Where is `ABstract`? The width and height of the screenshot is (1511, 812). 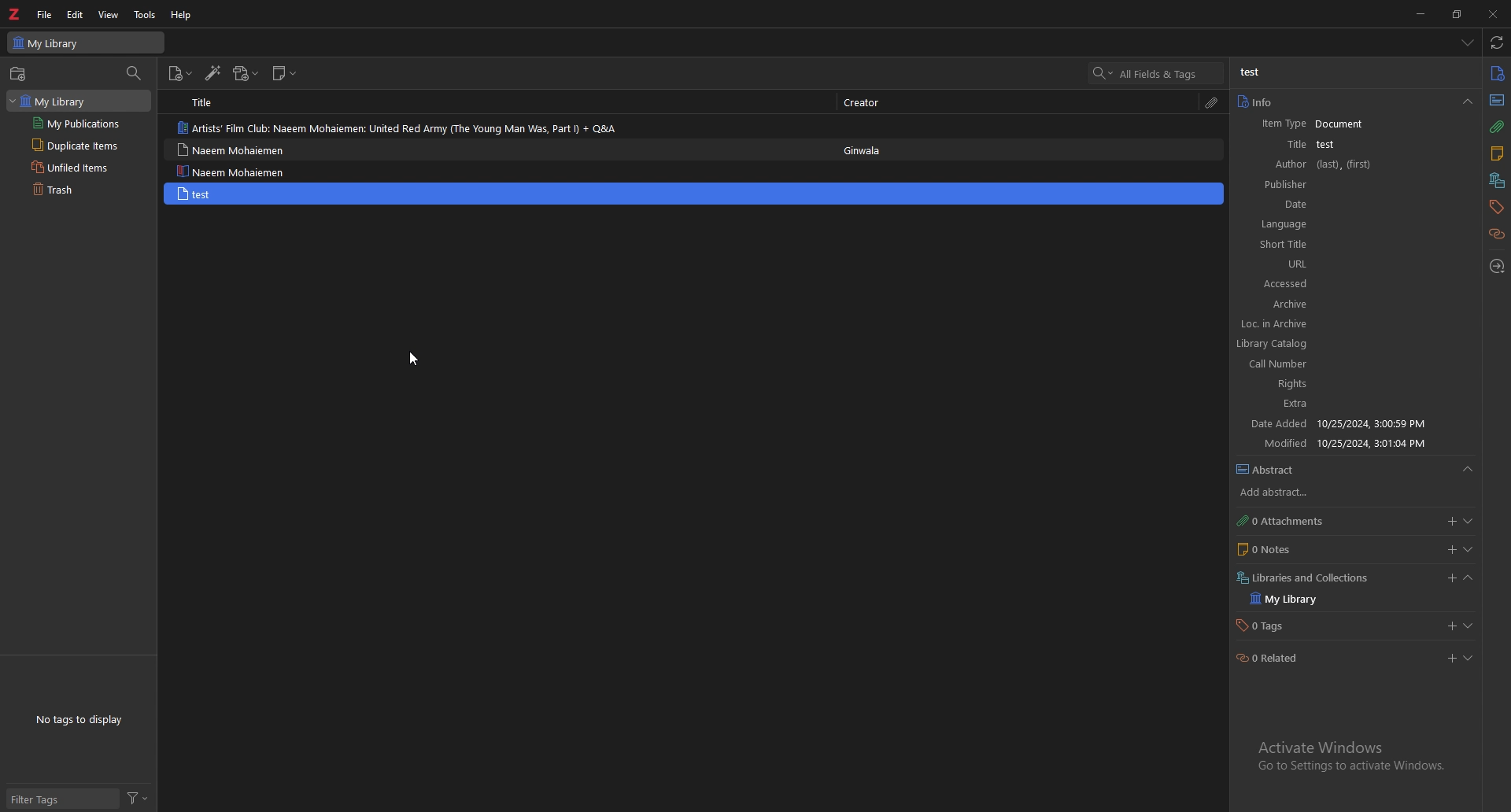
ABstract is located at coordinates (1269, 467).